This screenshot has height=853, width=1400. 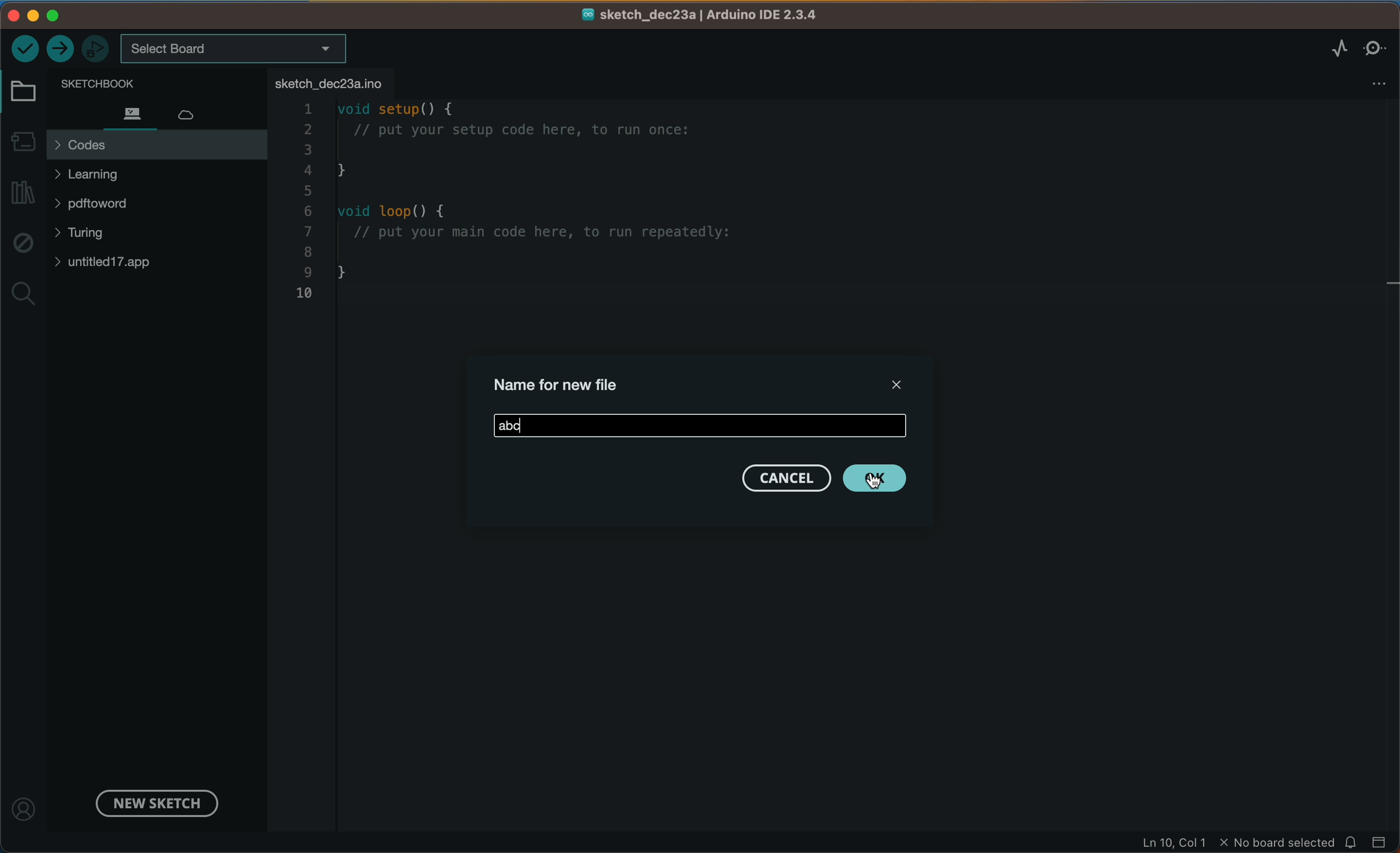 I want to click on file information, so click(x=1236, y=843).